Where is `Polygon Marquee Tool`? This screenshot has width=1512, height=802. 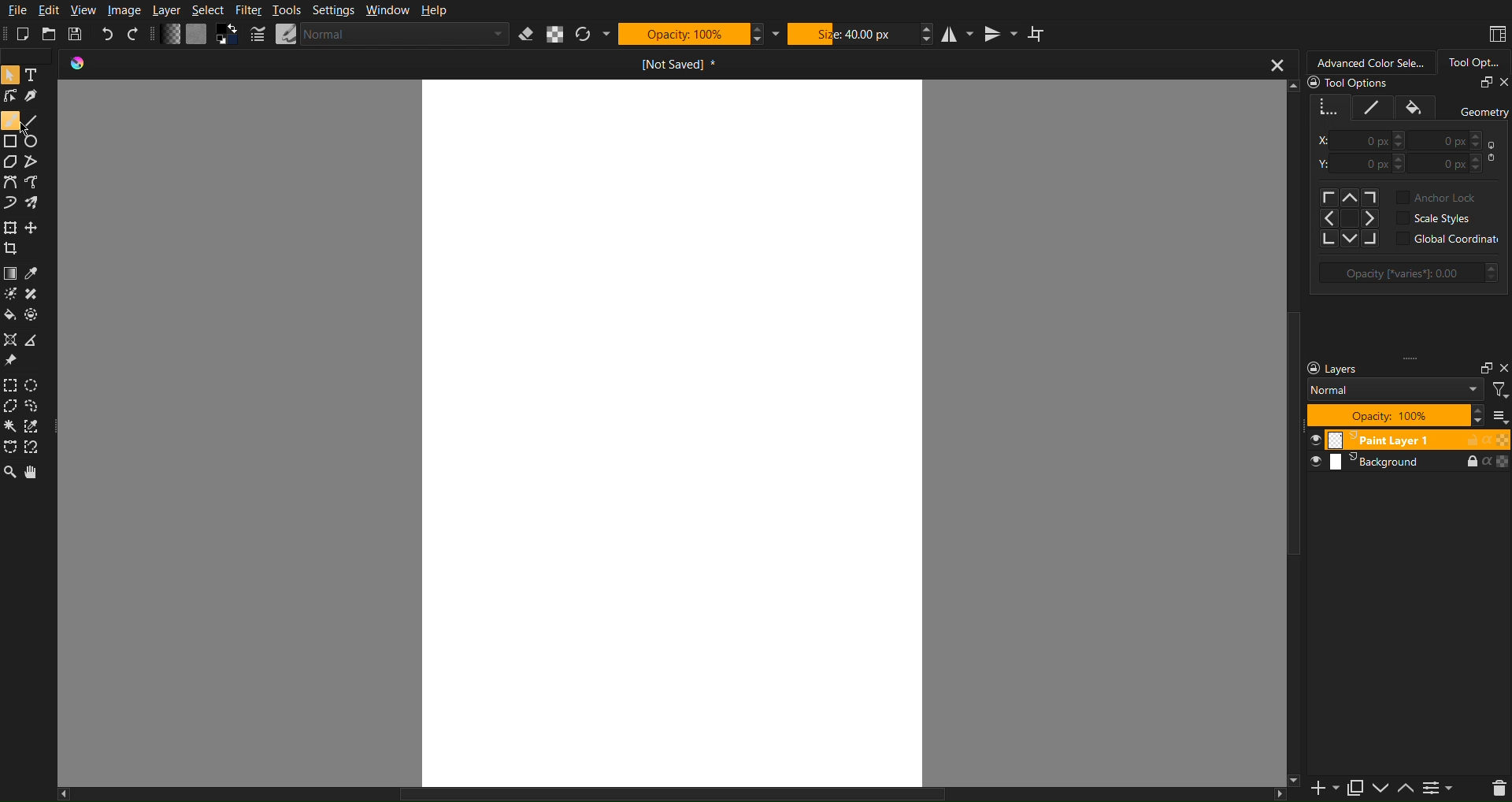
Polygon Marquee Tool is located at coordinates (13, 408).